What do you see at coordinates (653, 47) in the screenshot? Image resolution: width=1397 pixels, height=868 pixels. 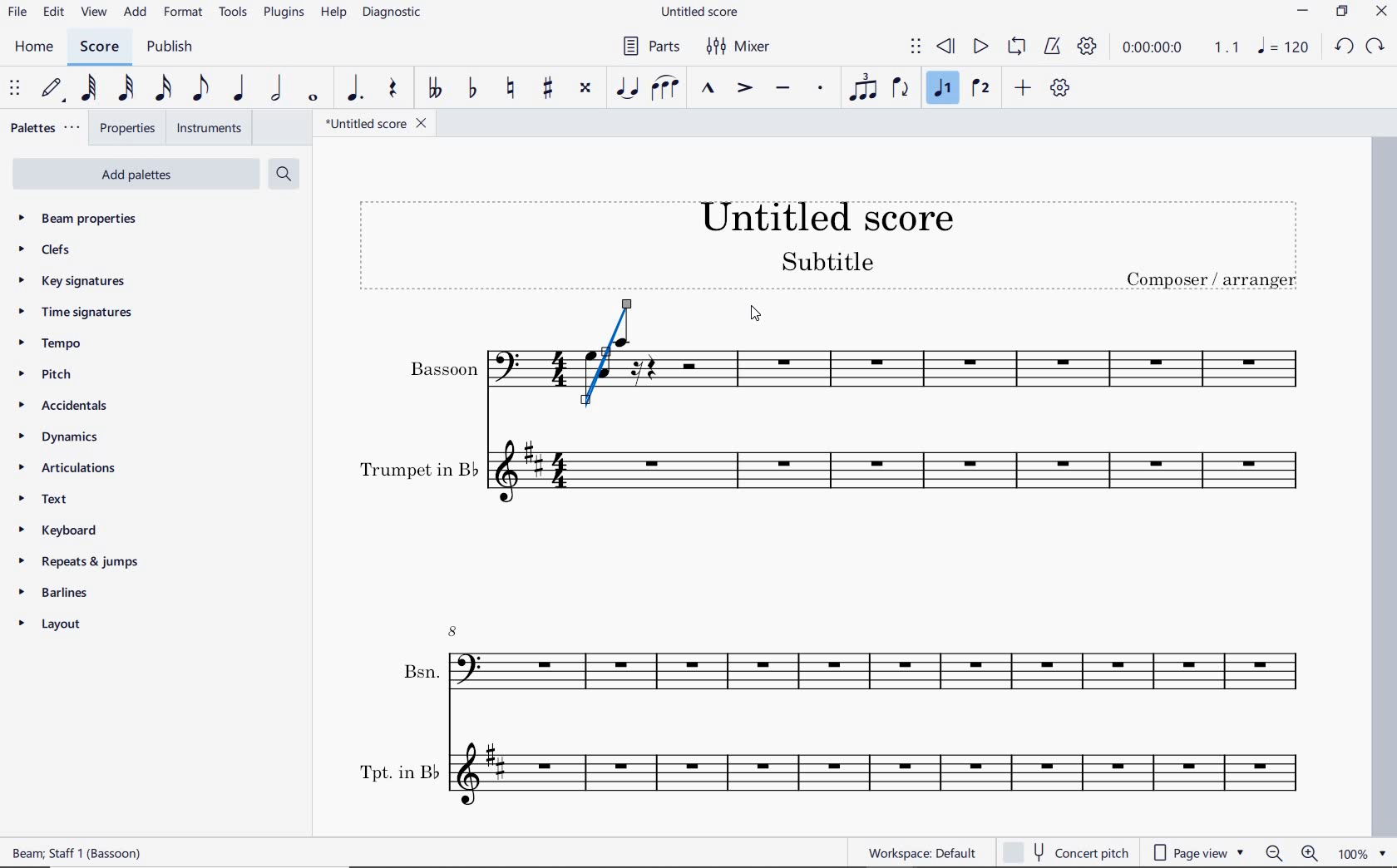 I see `parts` at bounding box center [653, 47].